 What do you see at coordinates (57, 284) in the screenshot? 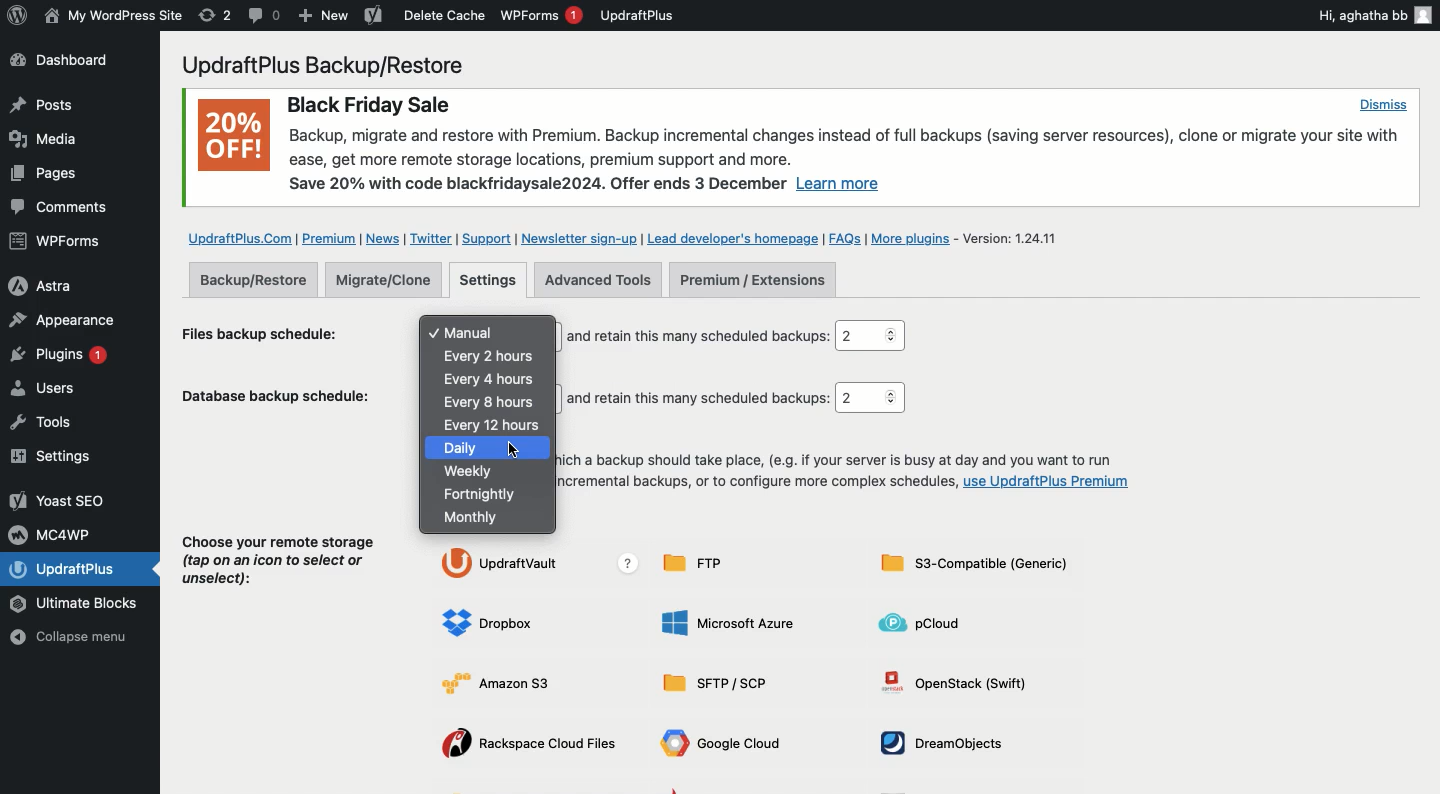
I see `Astra` at bounding box center [57, 284].